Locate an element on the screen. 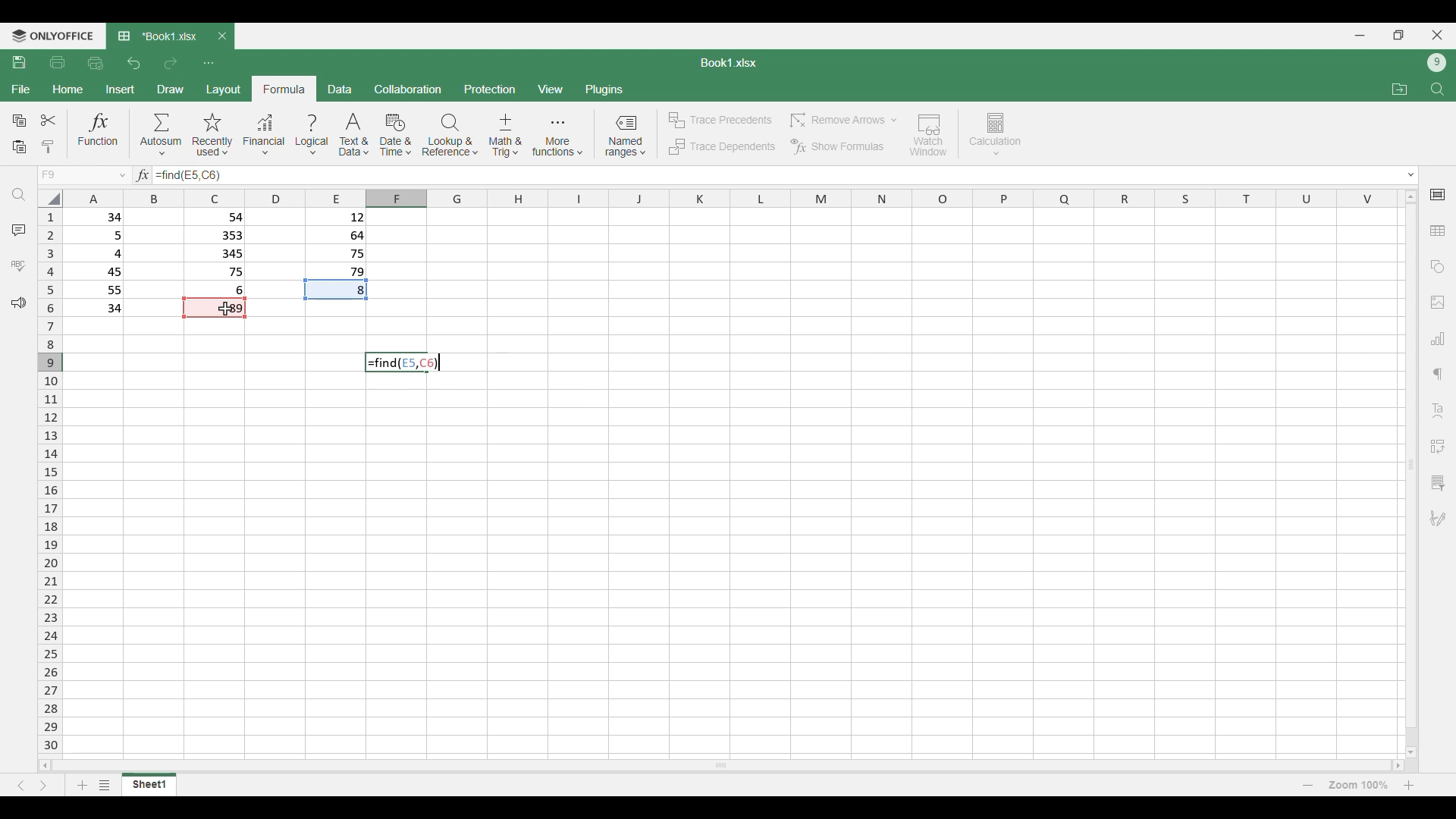  Insert pivot table is located at coordinates (1437, 447).